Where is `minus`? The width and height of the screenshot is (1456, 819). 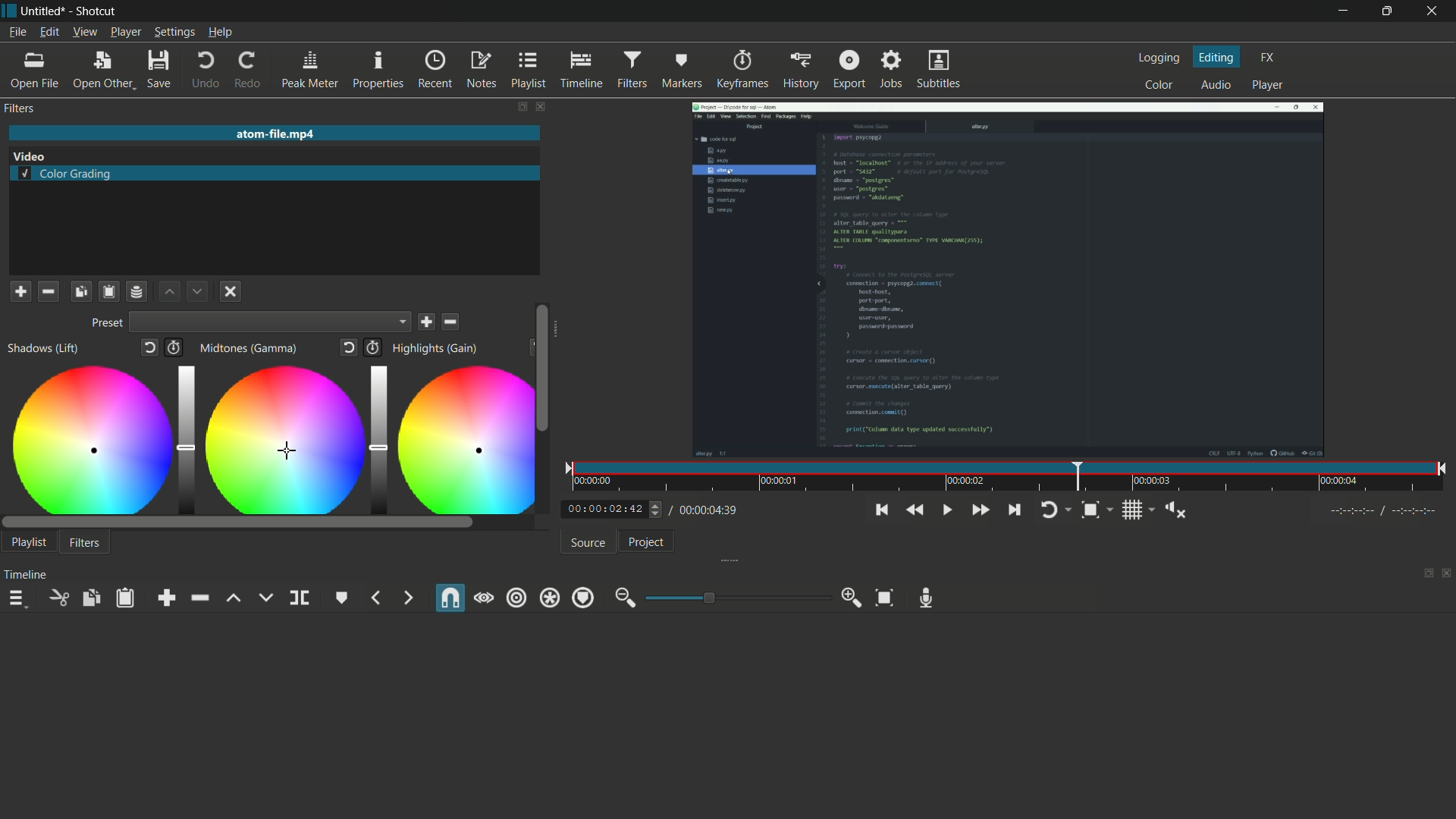 minus is located at coordinates (47, 290).